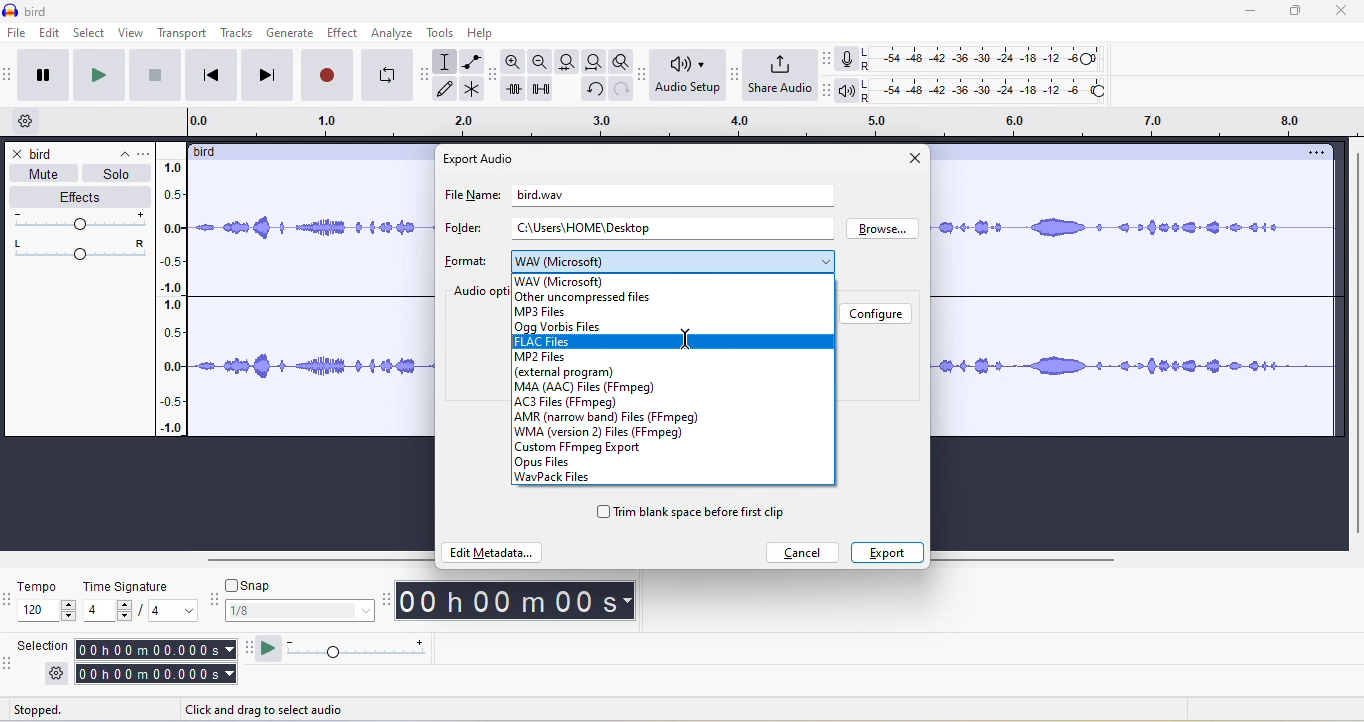 This screenshot has height=722, width=1364. What do you see at coordinates (213, 152) in the screenshot?
I see `bird` at bounding box center [213, 152].